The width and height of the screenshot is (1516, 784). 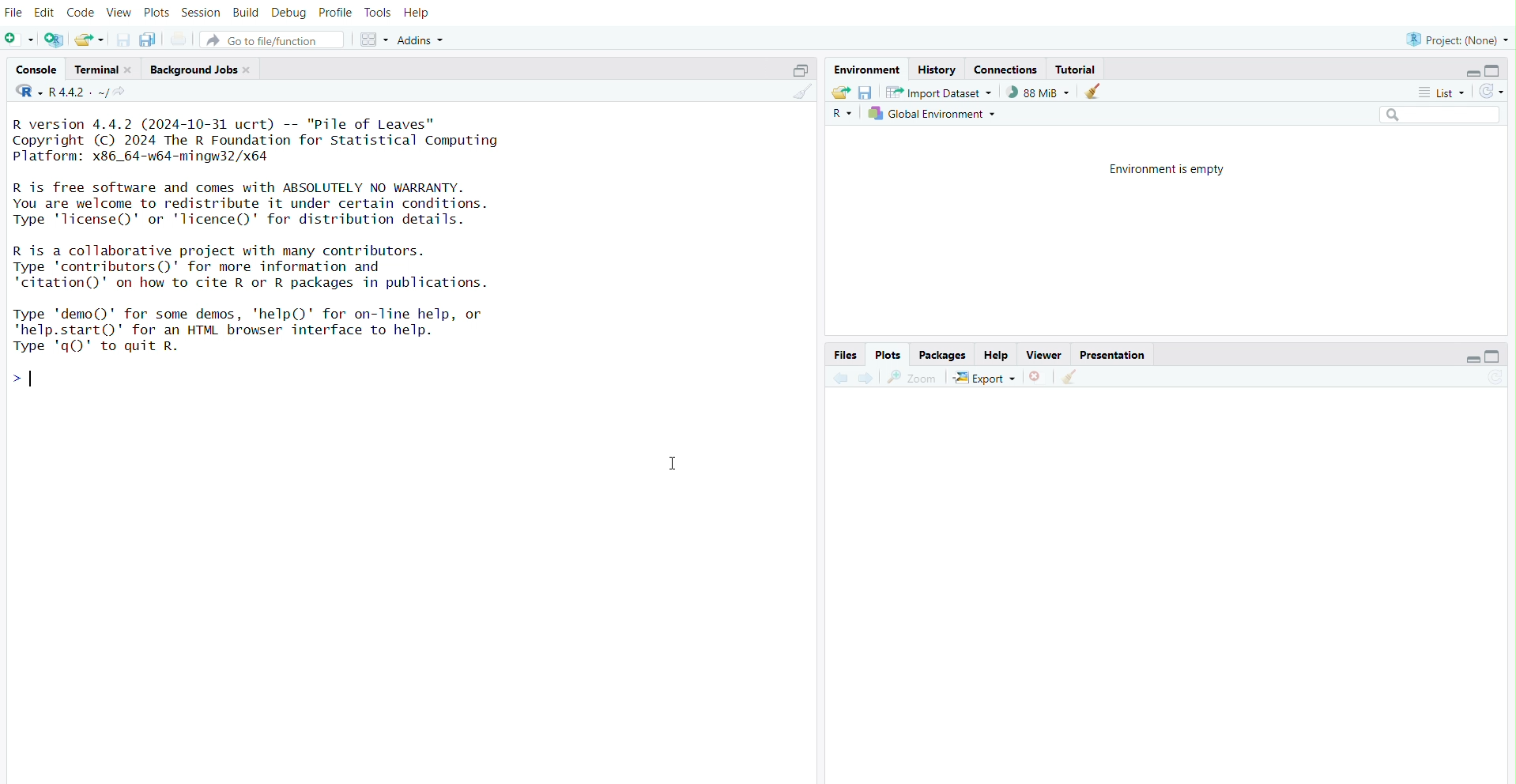 What do you see at coordinates (13, 10) in the screenshot?
I see `file` at bounding box center [13, 10].